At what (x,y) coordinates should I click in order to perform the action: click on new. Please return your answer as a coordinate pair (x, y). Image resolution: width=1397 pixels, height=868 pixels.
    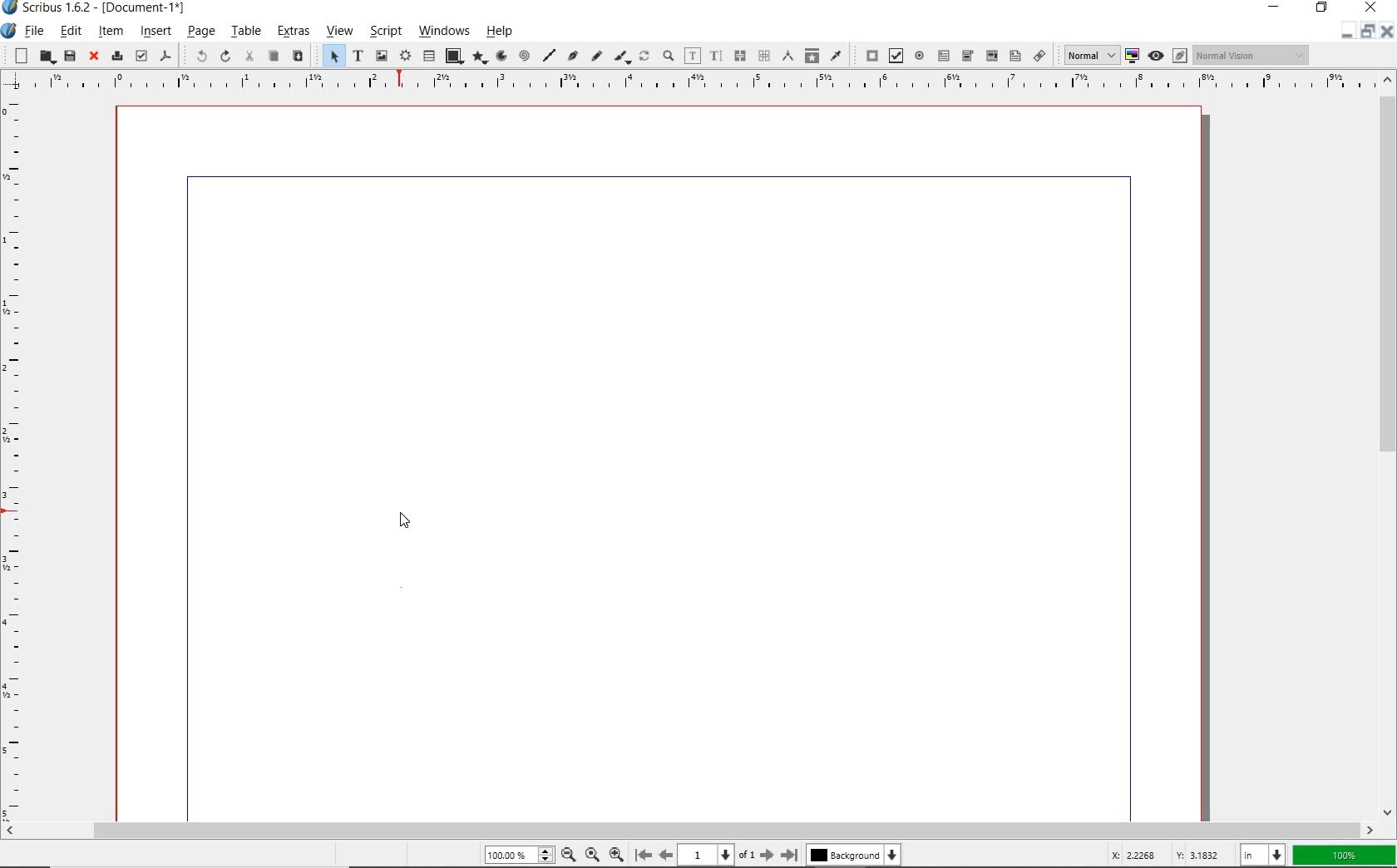
    Looking at the image, I should click on (17, 55).